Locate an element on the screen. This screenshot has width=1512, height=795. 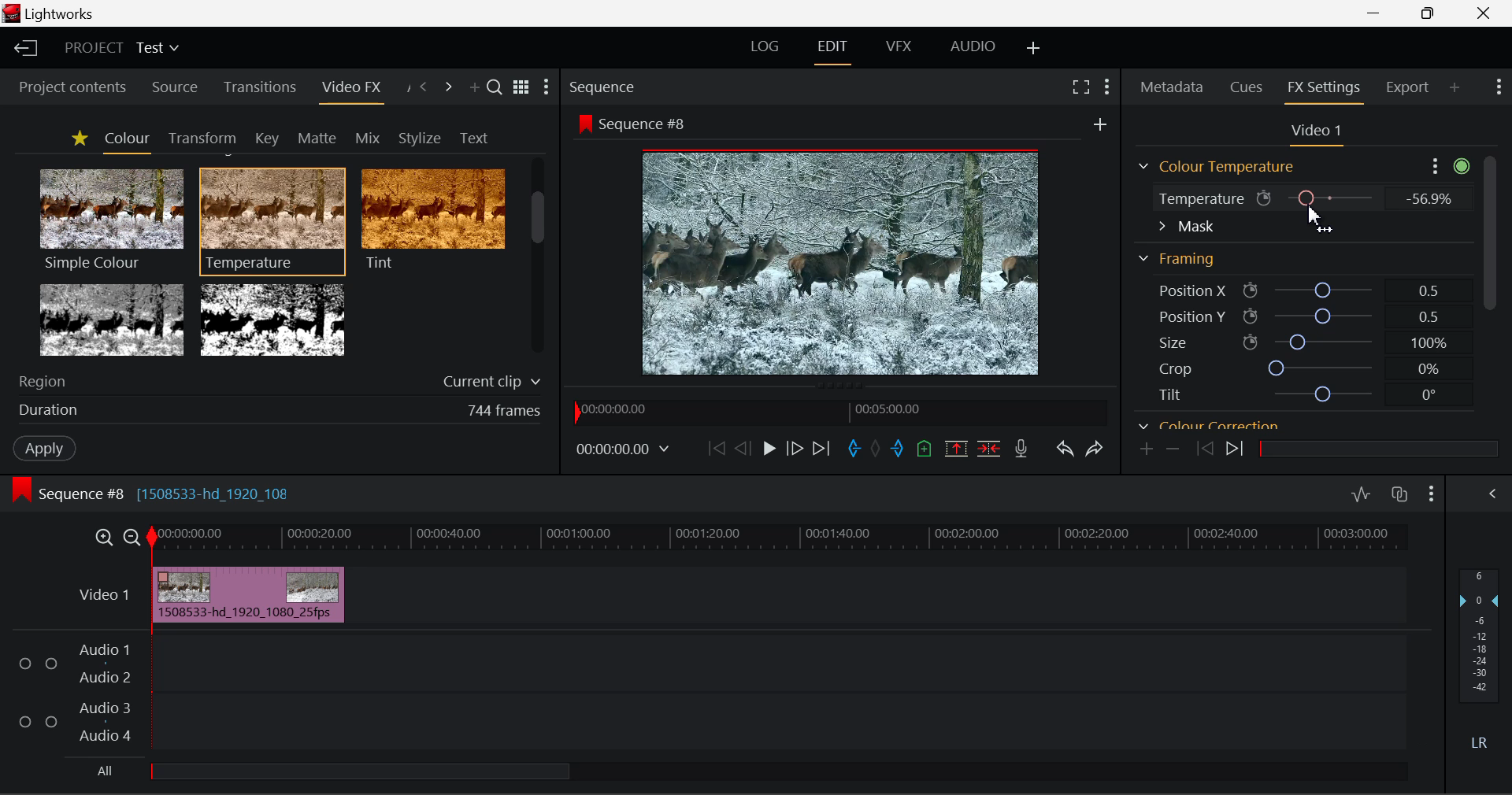
Full Screen is located at coordinates (1079, 90).